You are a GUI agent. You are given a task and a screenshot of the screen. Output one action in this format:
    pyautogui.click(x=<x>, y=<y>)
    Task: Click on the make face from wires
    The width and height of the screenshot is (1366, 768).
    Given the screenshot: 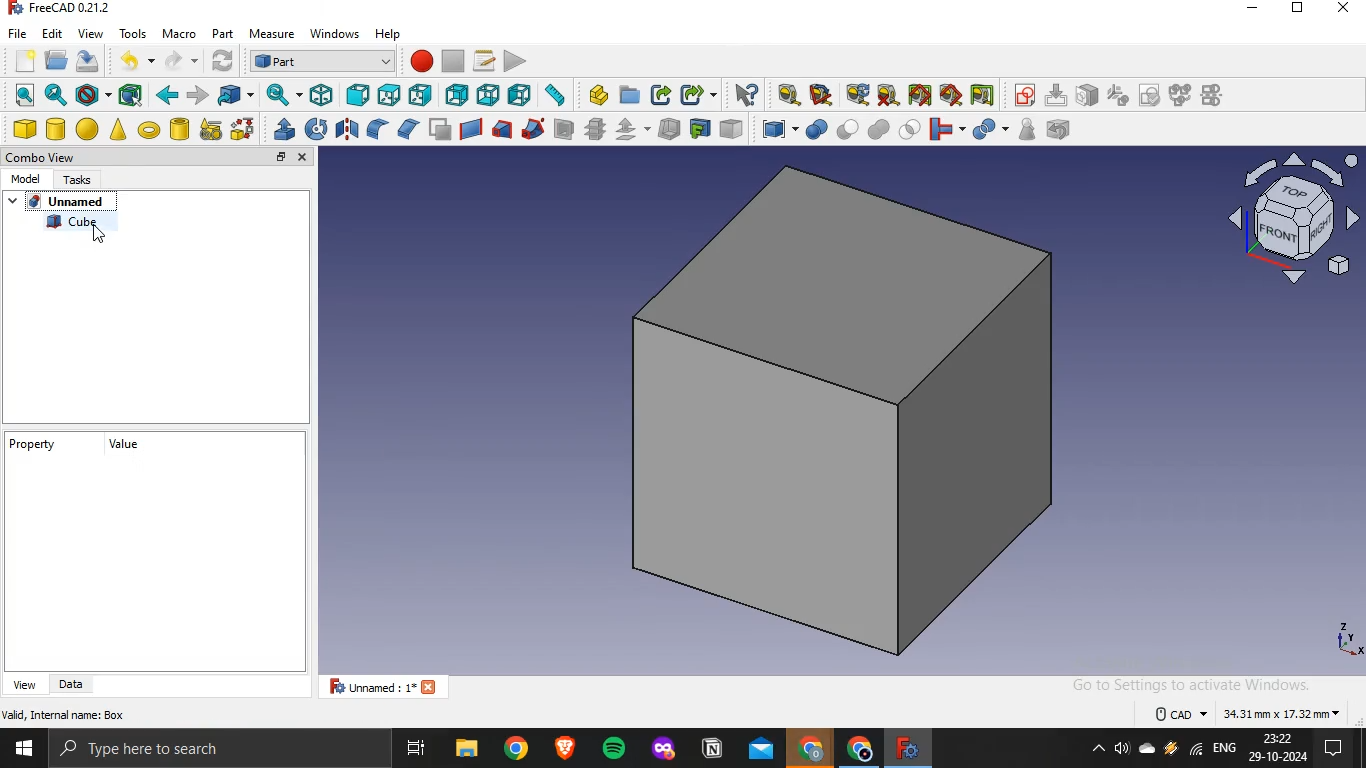 What is the action you would take?
    pyautogui.click(x=439, y=129)
    